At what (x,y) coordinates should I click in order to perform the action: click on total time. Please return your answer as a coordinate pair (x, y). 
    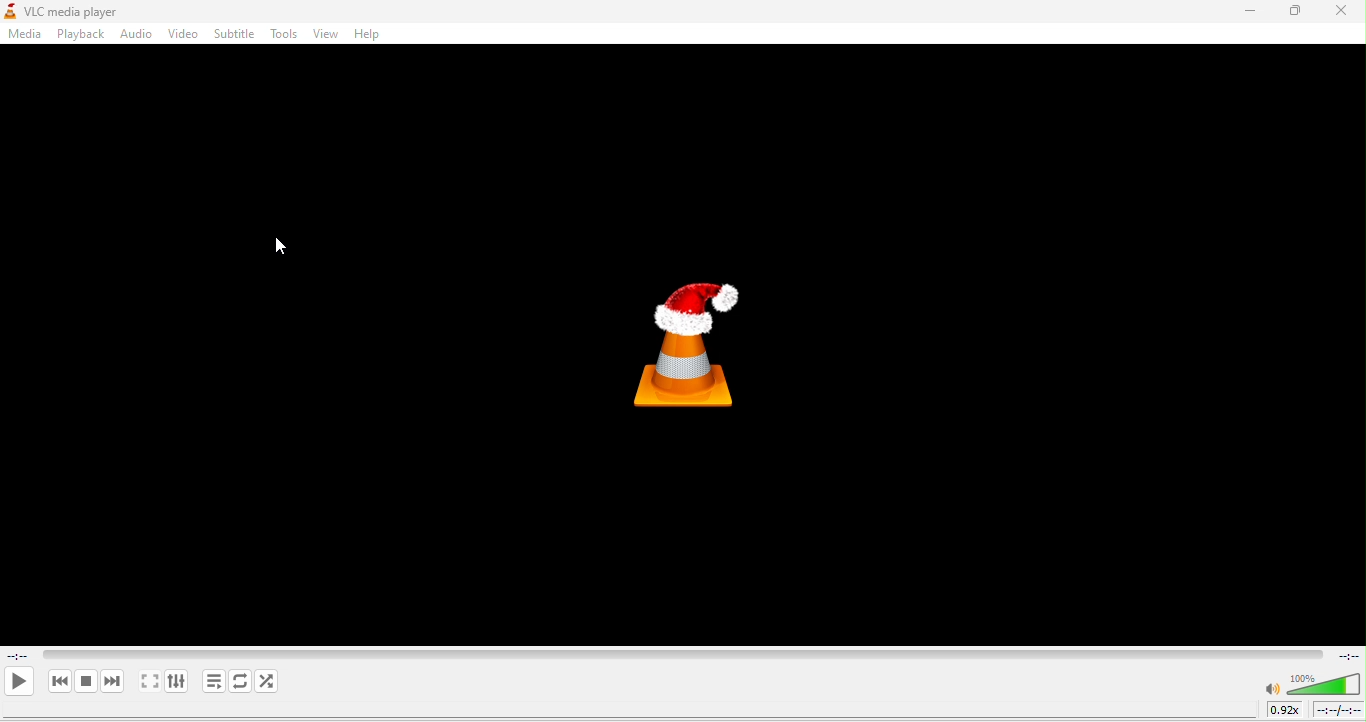
    Looking at the image, I should click on (1346, 655).